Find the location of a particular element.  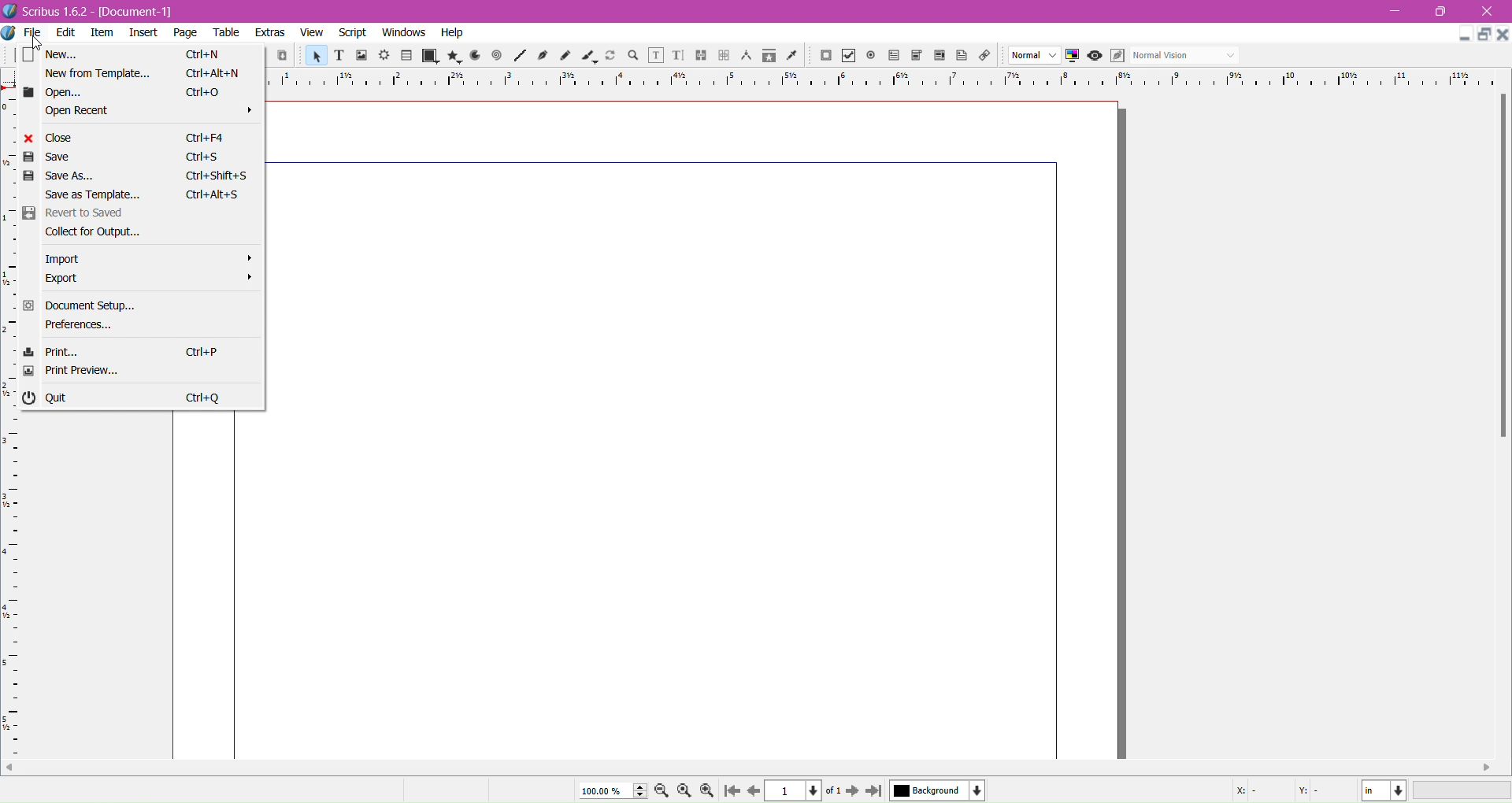

Zoom out by the stepping value in Tools preferences is located at coordinates (661, 790).